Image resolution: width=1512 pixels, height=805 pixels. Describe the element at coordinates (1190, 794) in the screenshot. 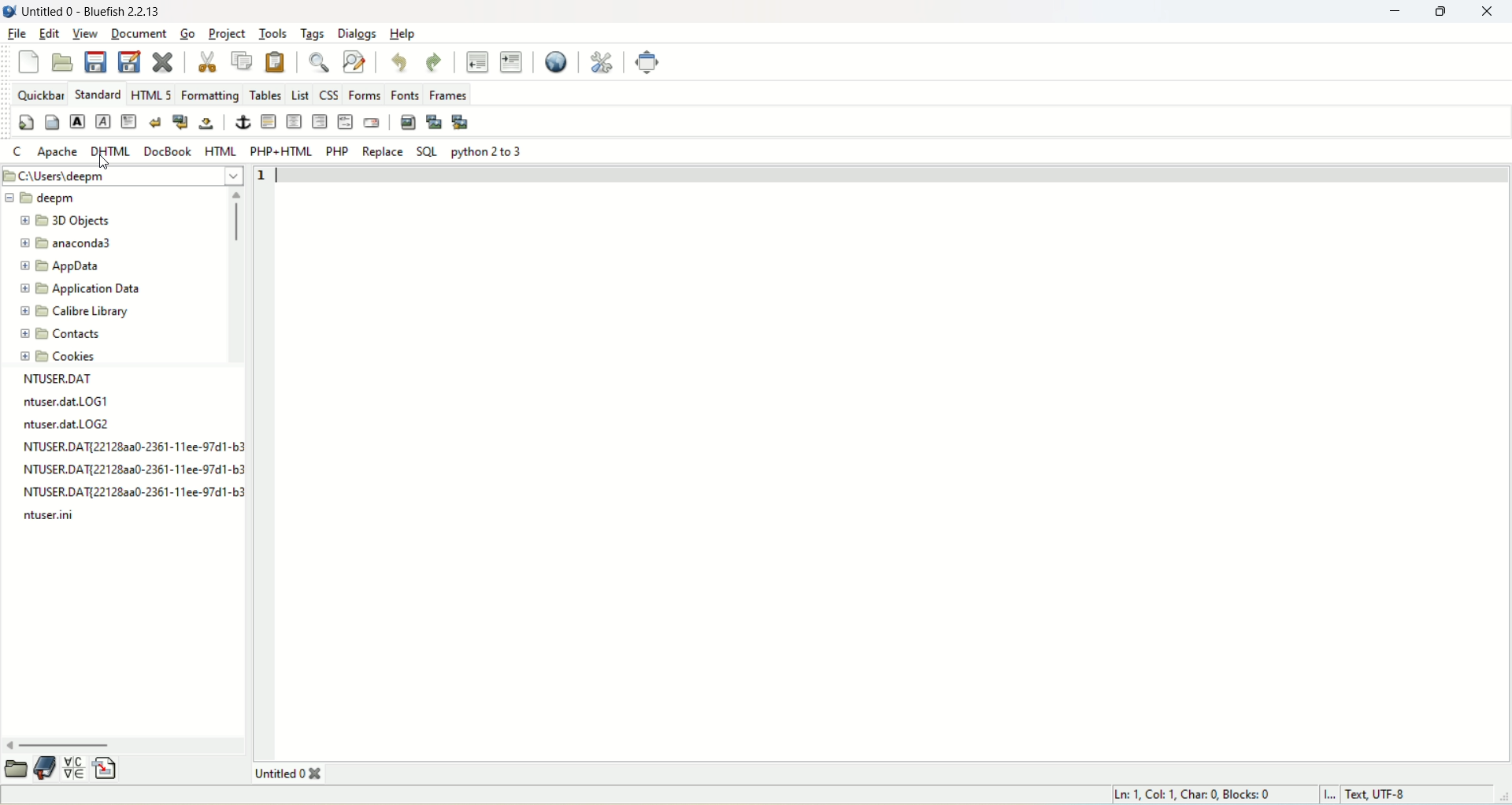

I see `ln, col, char, blocks` at that location.